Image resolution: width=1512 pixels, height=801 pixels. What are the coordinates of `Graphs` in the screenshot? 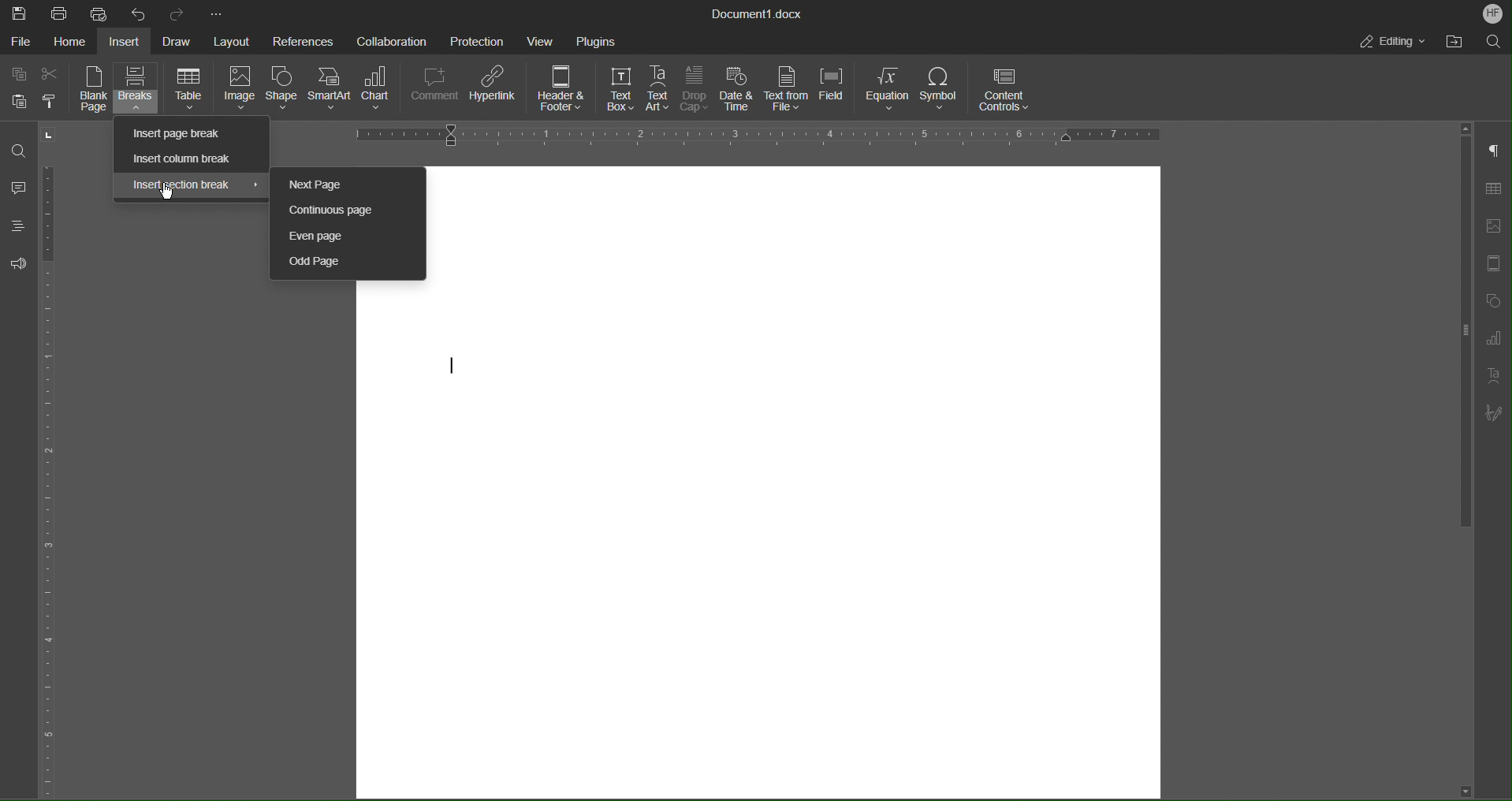 It's located at (1492, 339).